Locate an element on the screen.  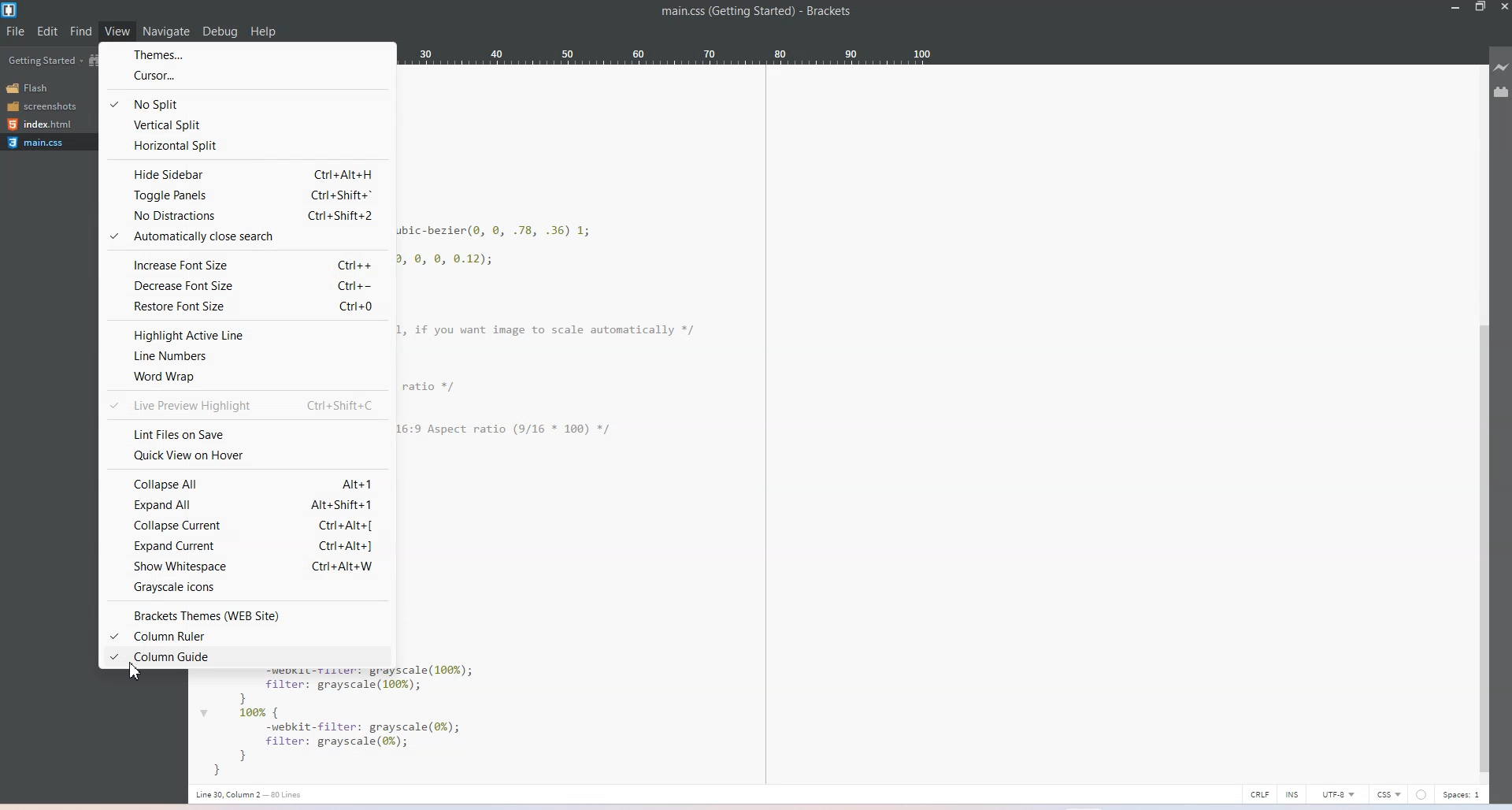
Decrease font size is located at coordinates (248, 285).